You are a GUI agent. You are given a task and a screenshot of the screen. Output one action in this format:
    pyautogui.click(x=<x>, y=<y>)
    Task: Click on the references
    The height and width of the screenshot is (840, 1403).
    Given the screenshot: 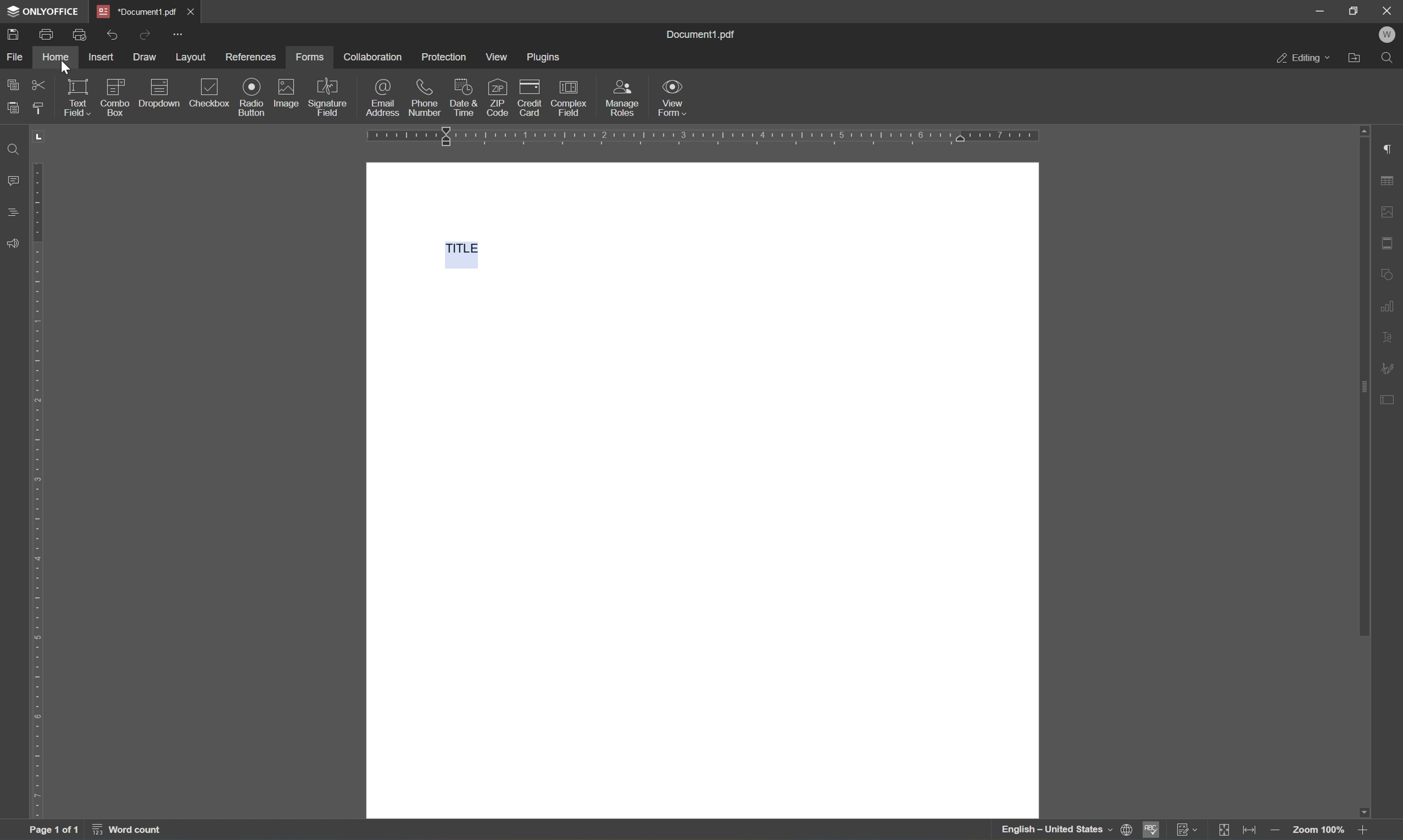 What is the action you would take?
    pyautogui.click(x=251, y=58)
    